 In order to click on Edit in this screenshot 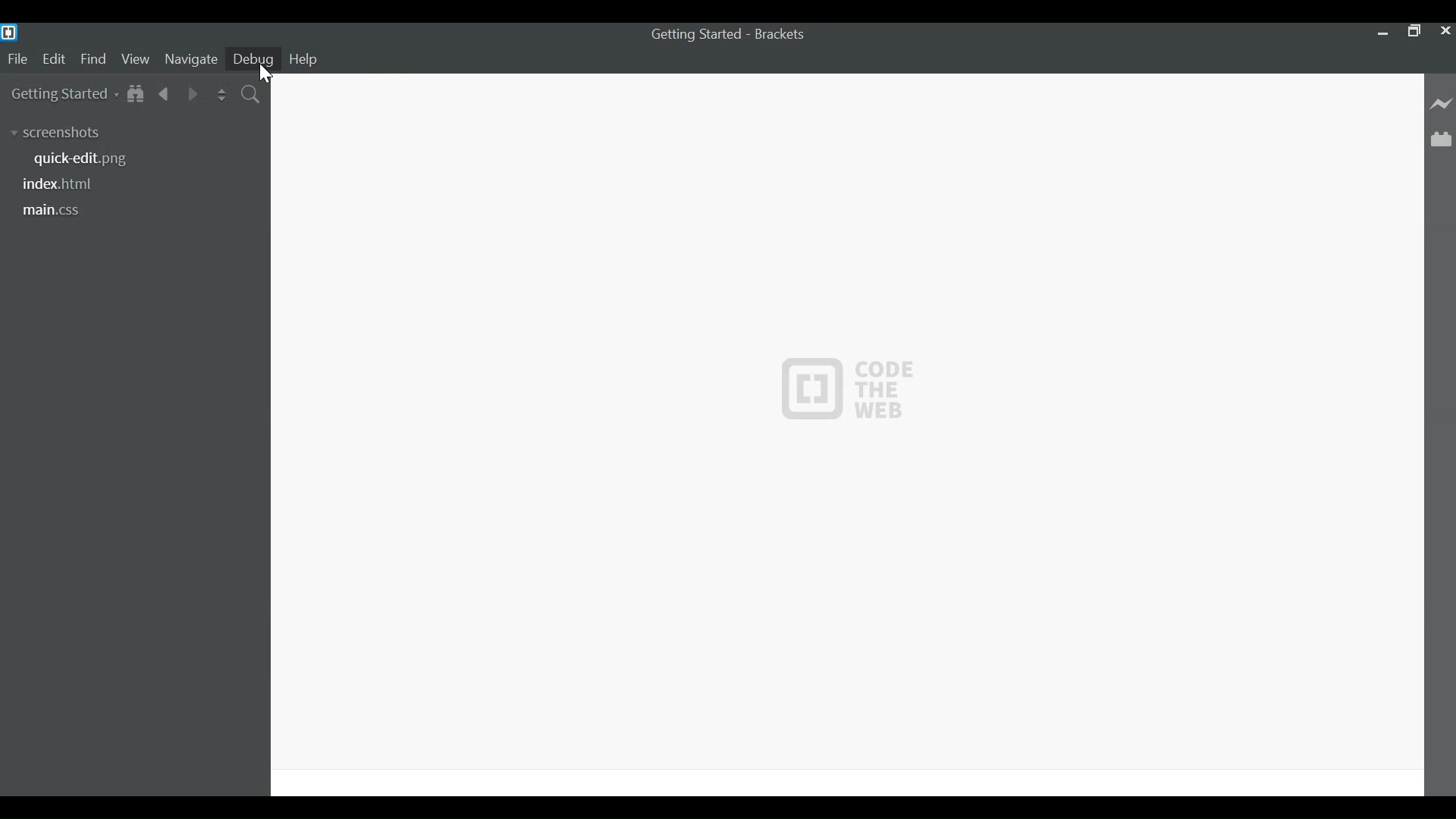, I will do `click(56, 59)`.